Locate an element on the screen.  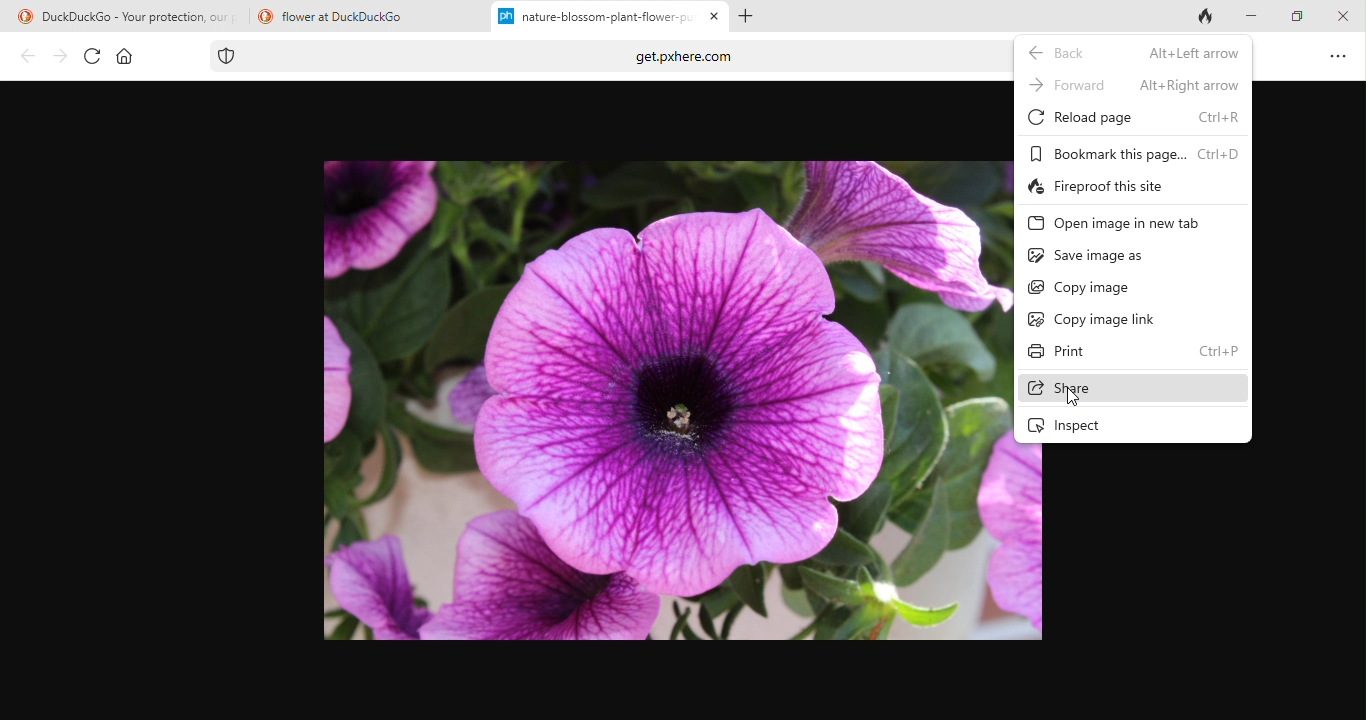
print is located at coordinates (1135, 352).